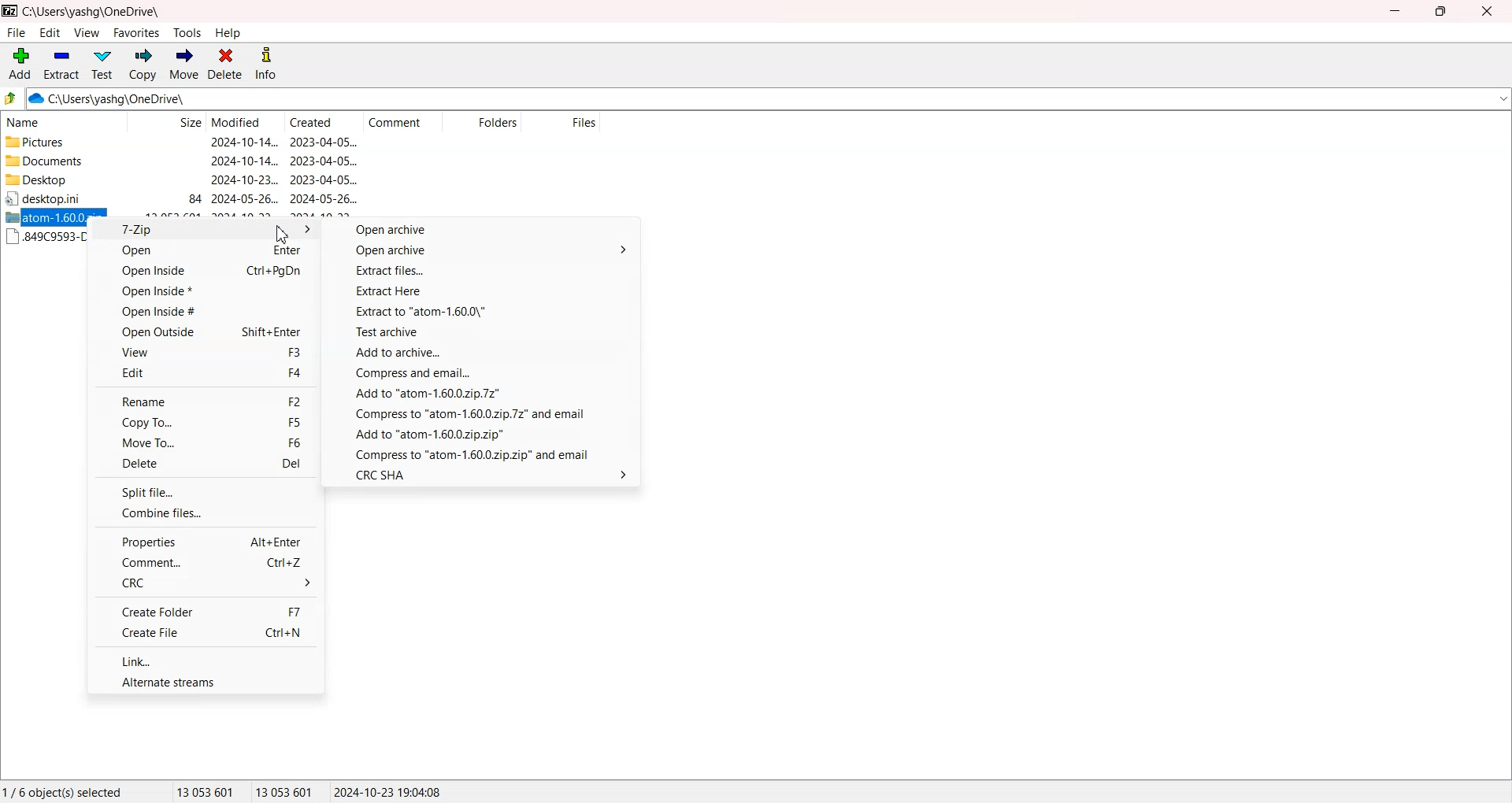  What do you see at coordinates (245, 179) in the screenshot?
I see `2024-10-23` at bounding box center [245, 179].